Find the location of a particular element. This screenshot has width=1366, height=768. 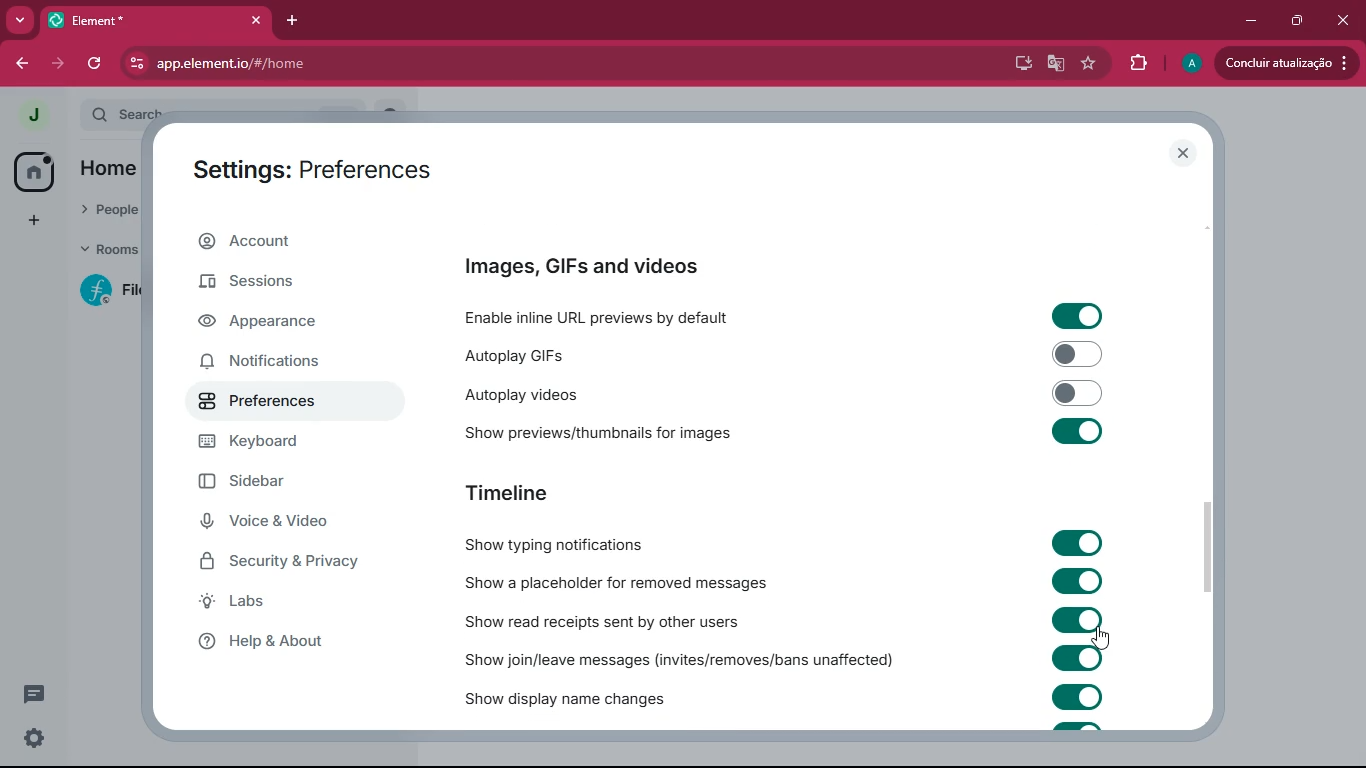

add tab is located at coordinates (293, 21).